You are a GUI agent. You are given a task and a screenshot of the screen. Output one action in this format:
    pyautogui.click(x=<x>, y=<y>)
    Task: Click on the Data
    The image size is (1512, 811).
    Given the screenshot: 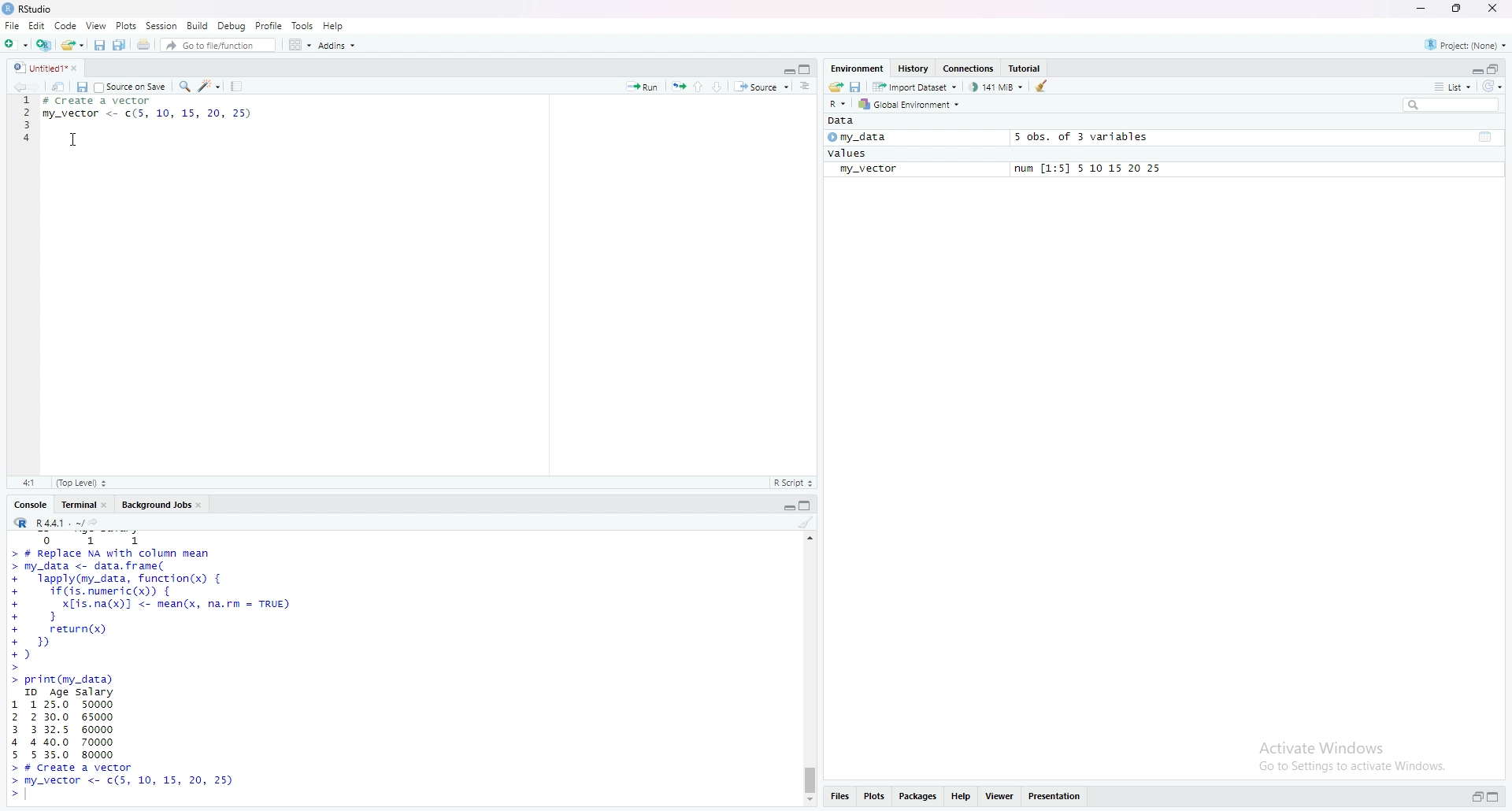 What is the action you would take?
    pyautogui.click(x=847, y=121)
    